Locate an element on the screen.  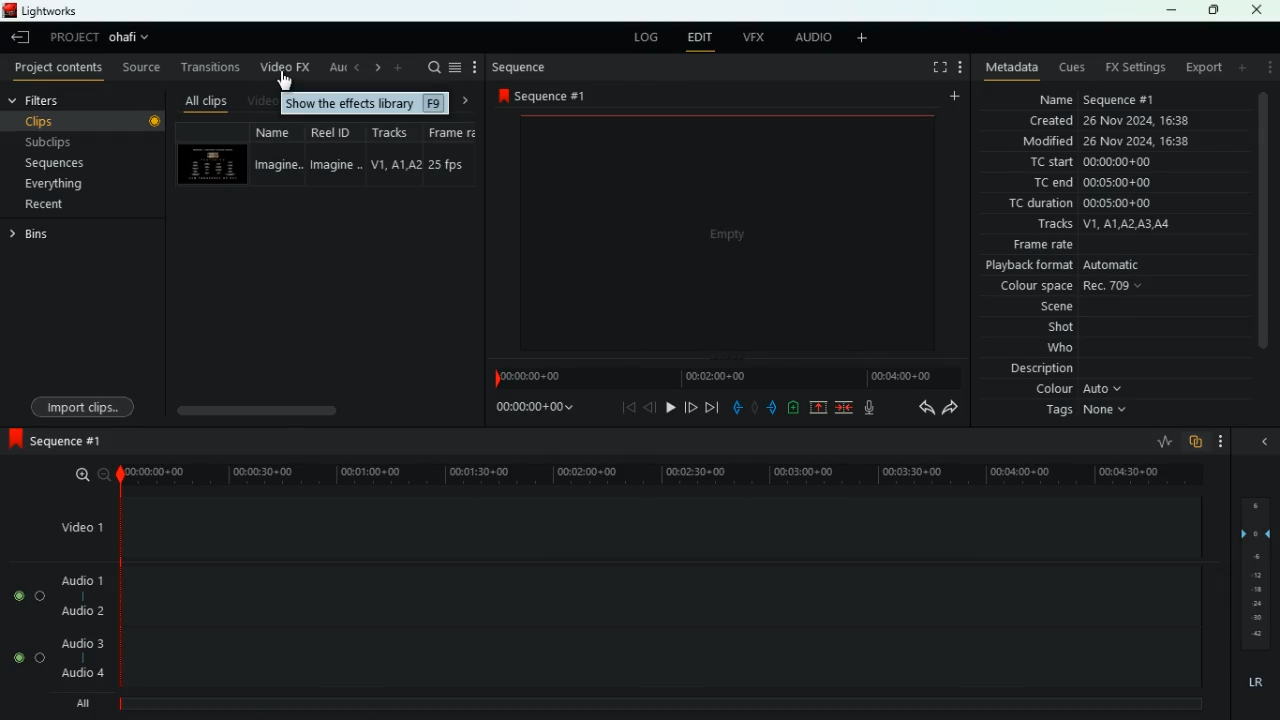
more is located at coordinates (399, 68).